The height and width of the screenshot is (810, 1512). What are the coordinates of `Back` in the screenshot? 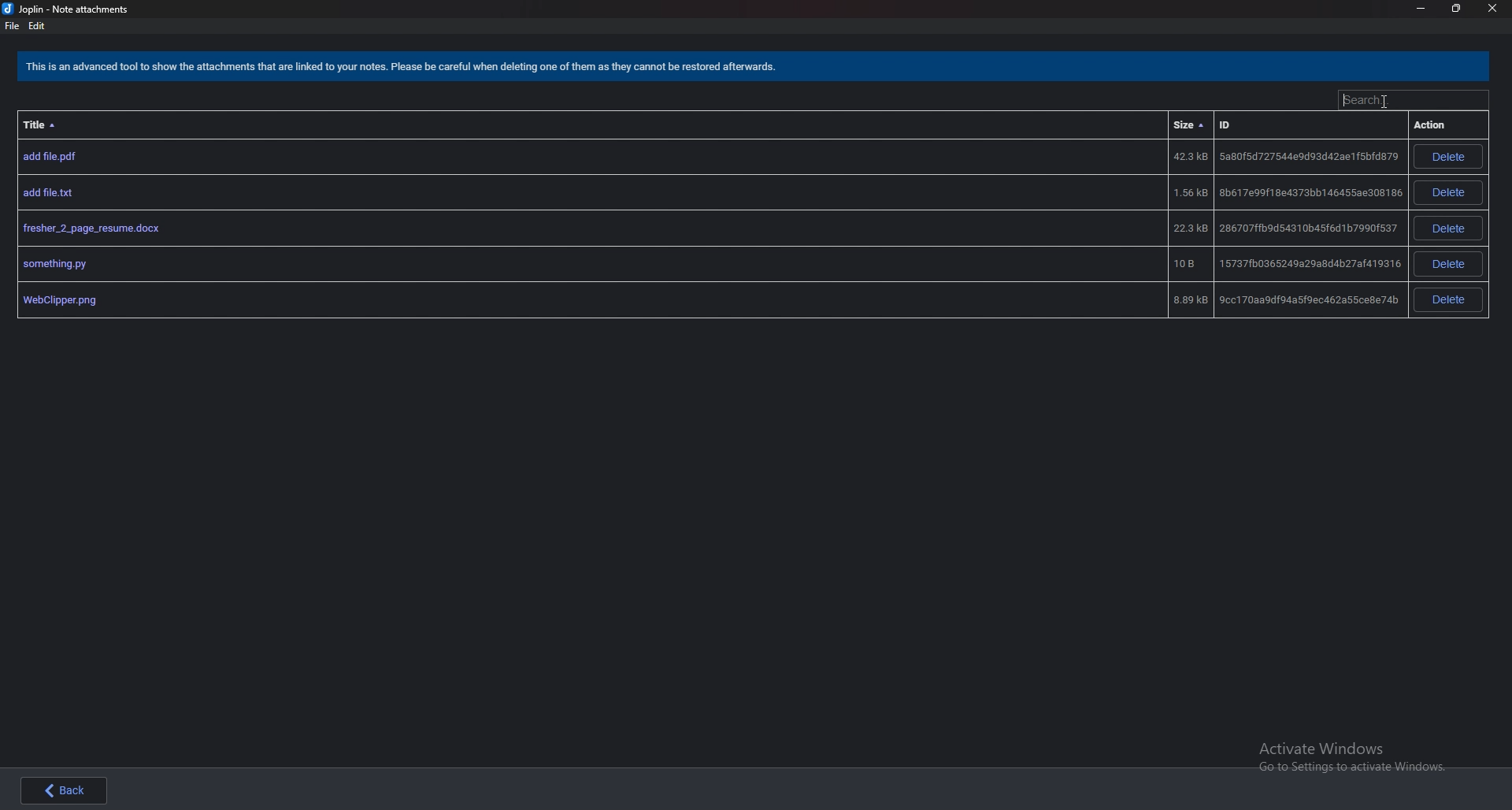 It's located at (69, 789).